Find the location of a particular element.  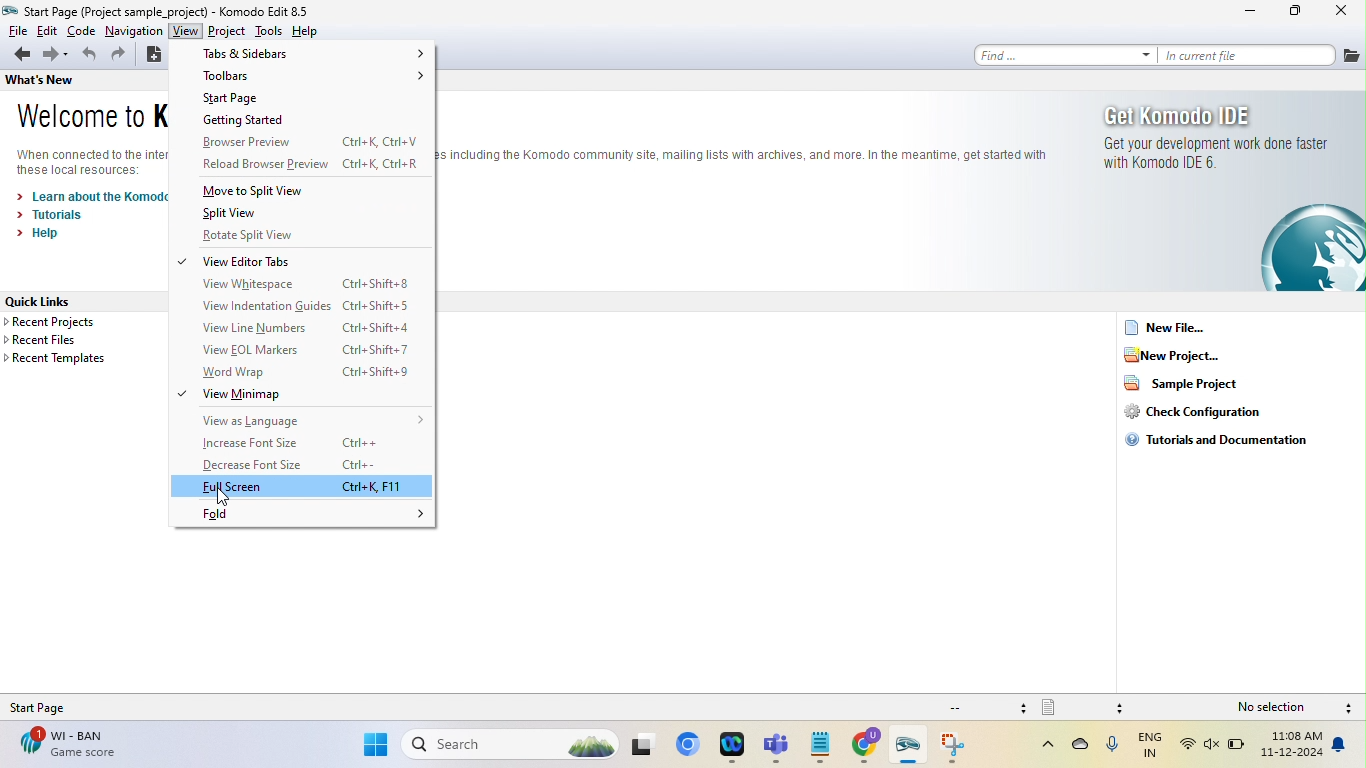

view minimap is located at coordinates (281, 395).